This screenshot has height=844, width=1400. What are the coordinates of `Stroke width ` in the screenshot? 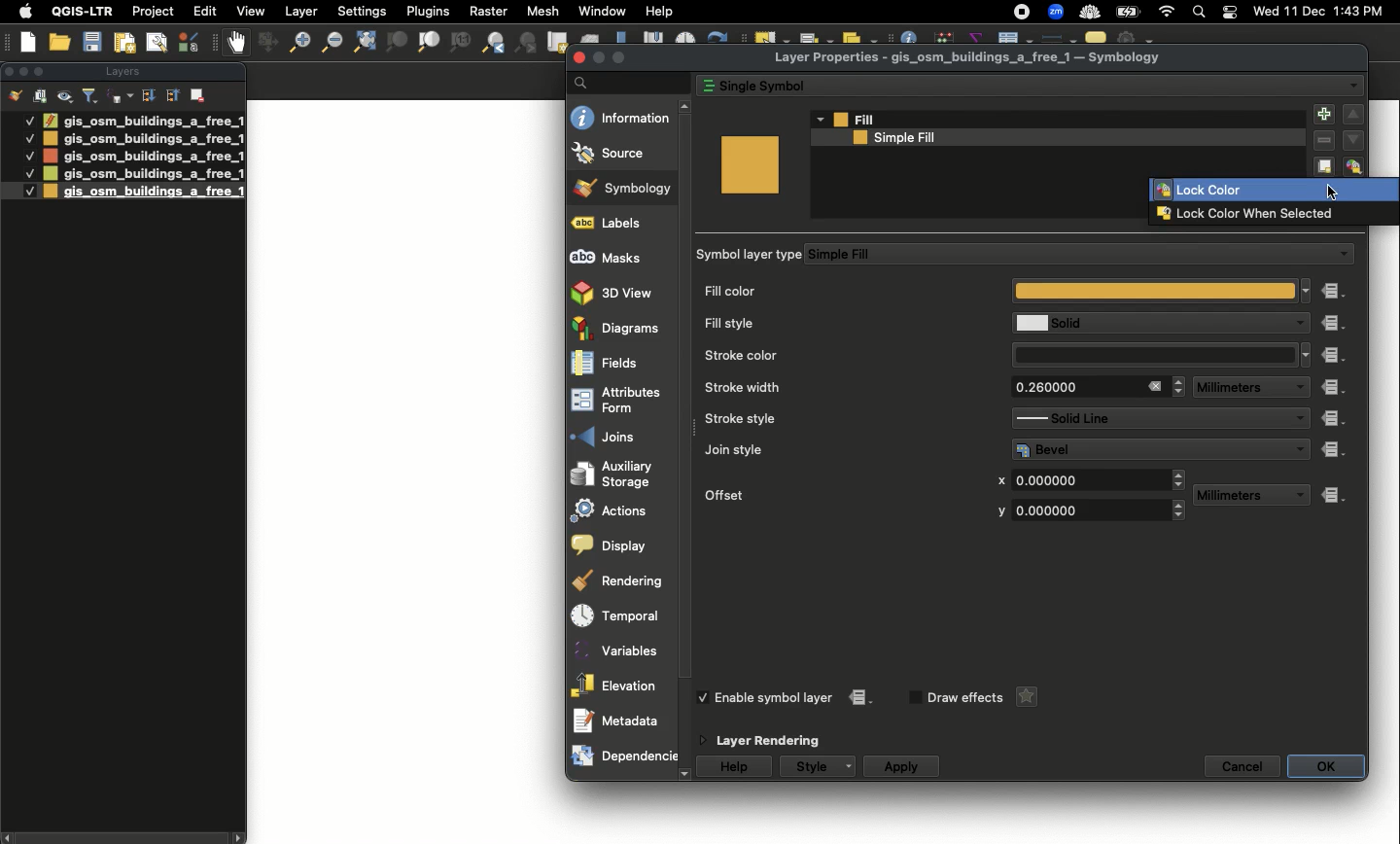 It's located at (839, 387).